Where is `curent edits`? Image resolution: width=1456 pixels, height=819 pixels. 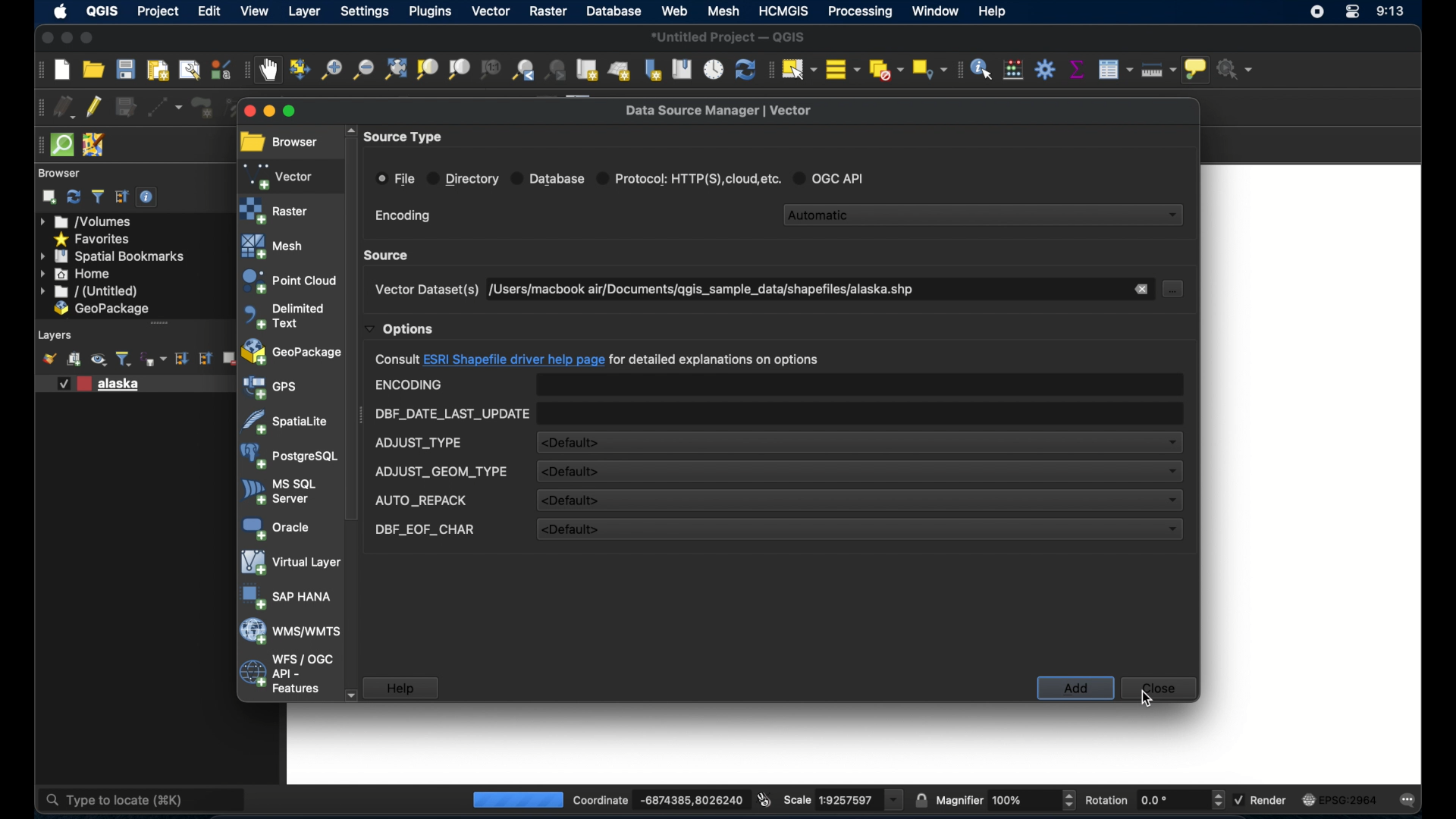
curent edits is located at coordinates (65, 107).